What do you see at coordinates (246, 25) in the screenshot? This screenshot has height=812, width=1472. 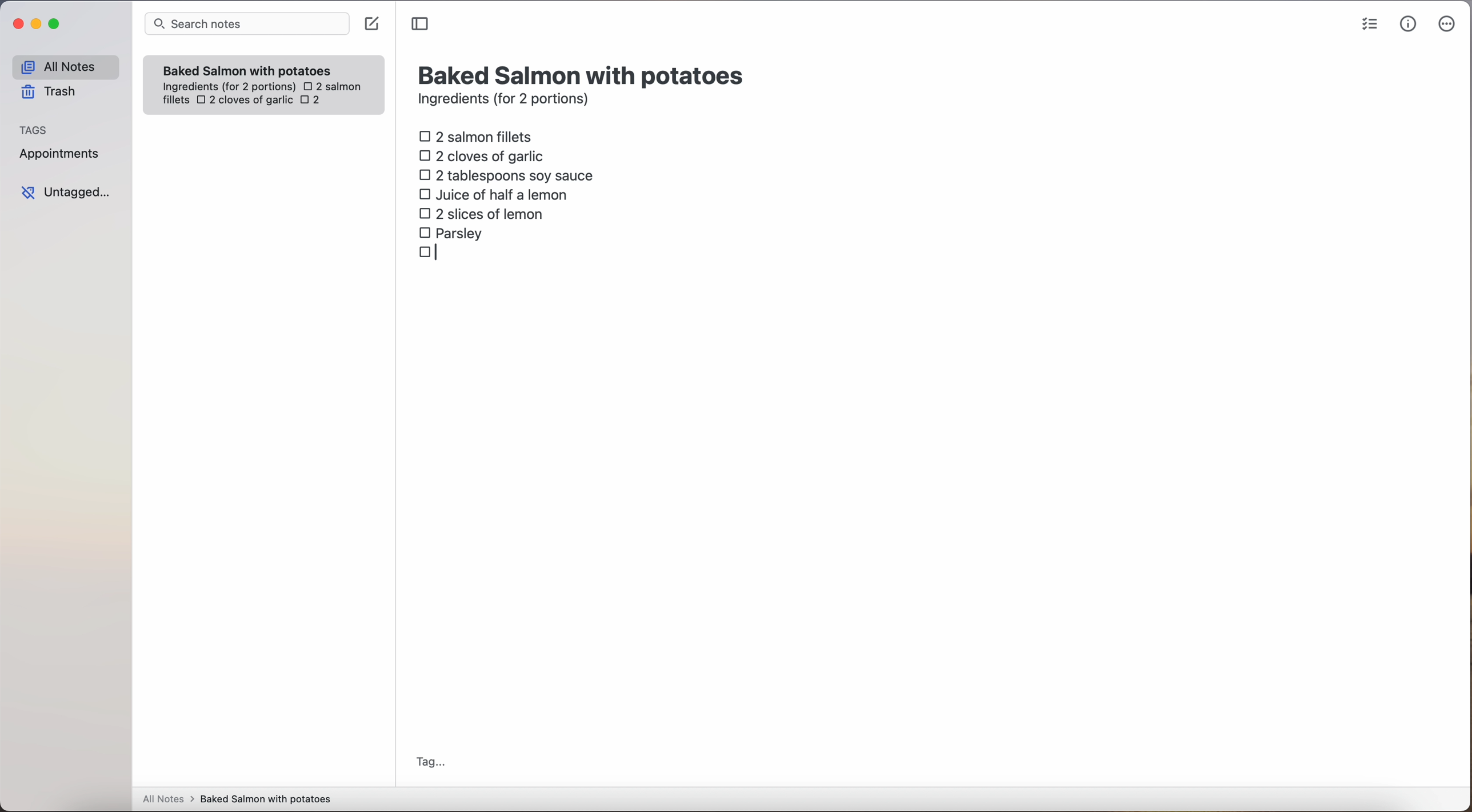 I see `search bar` at bounding box center [246, 25].